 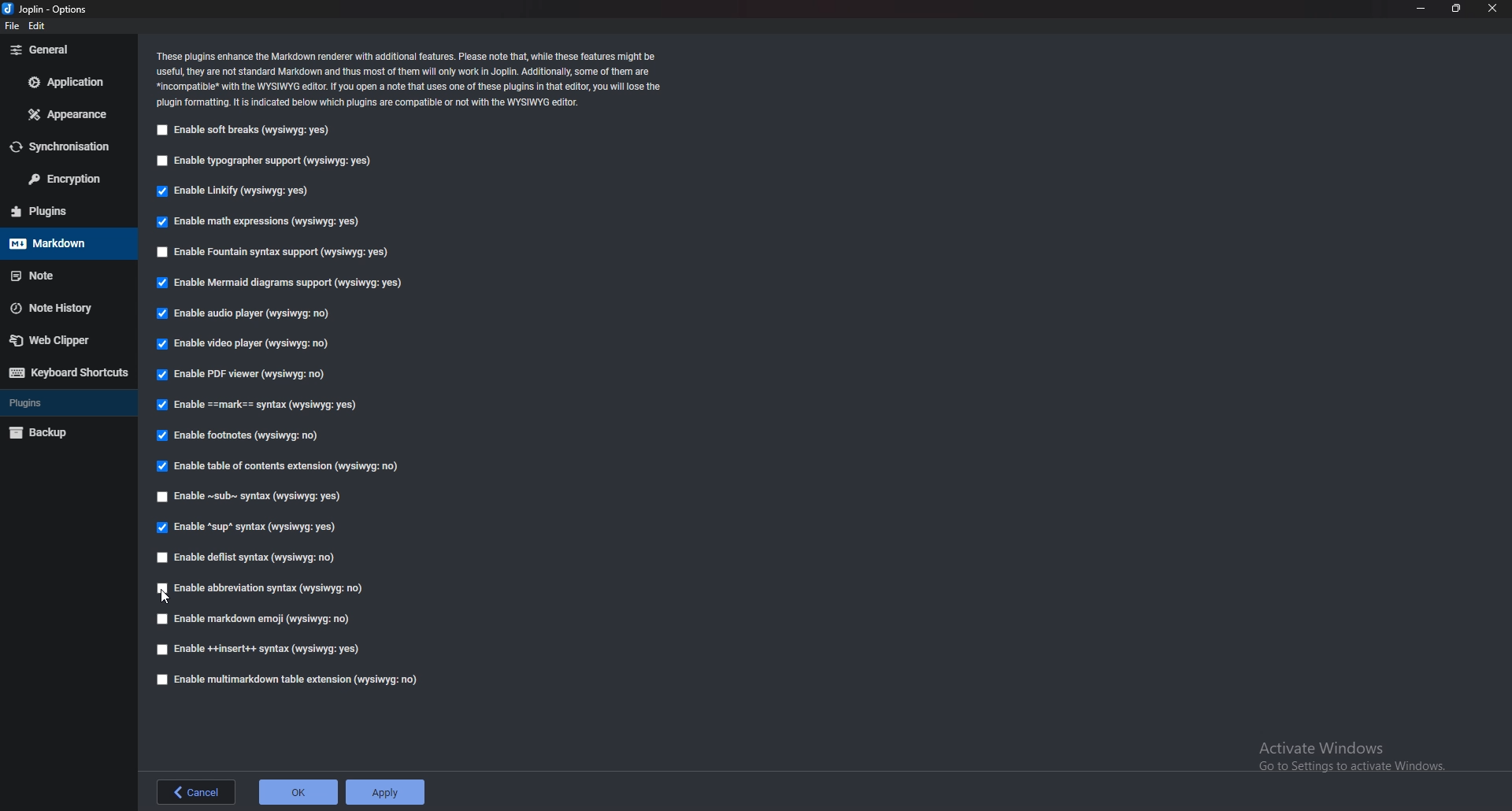 What do you see at coordinates (239, 191) in the screenshot?
I see `Enable Linkify (wysiwyg: yes)` at bounding box center [239, 191].